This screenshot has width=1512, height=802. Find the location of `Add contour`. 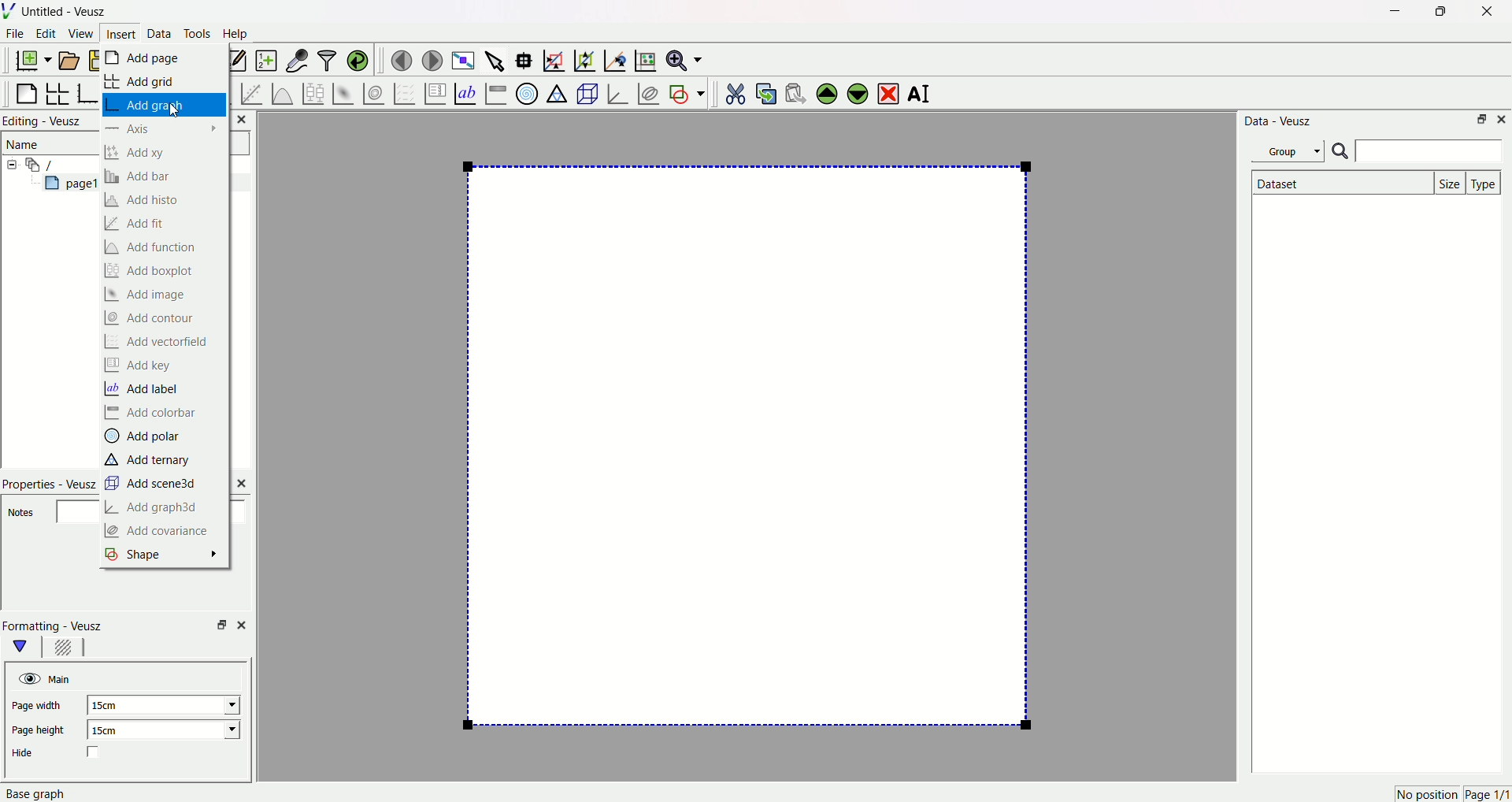

Add contour is located at coordinates (152, 318).